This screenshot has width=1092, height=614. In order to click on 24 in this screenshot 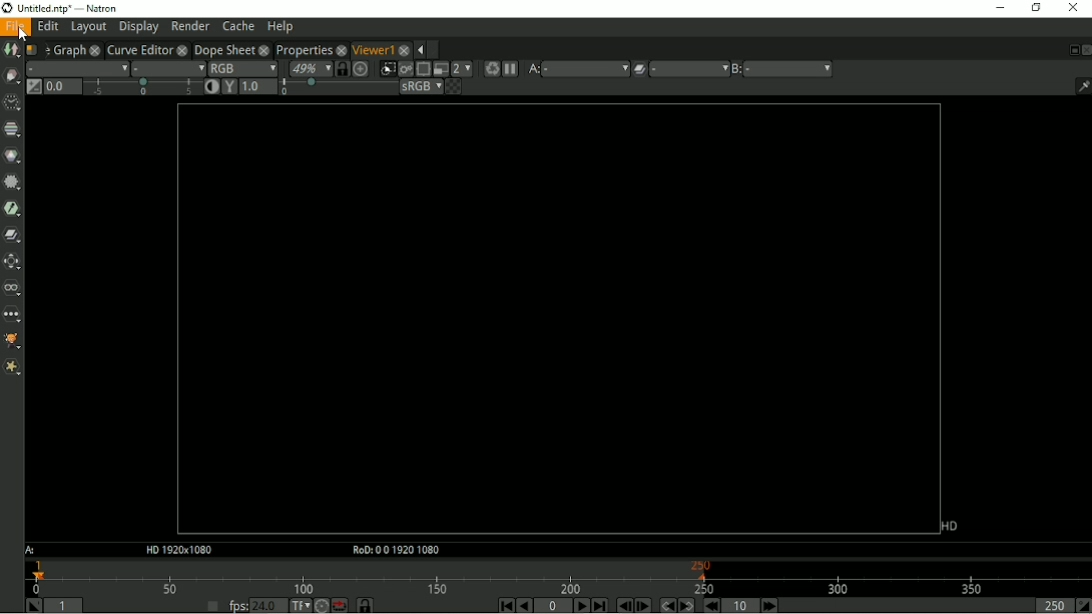, I will do `click(268, 605)`.